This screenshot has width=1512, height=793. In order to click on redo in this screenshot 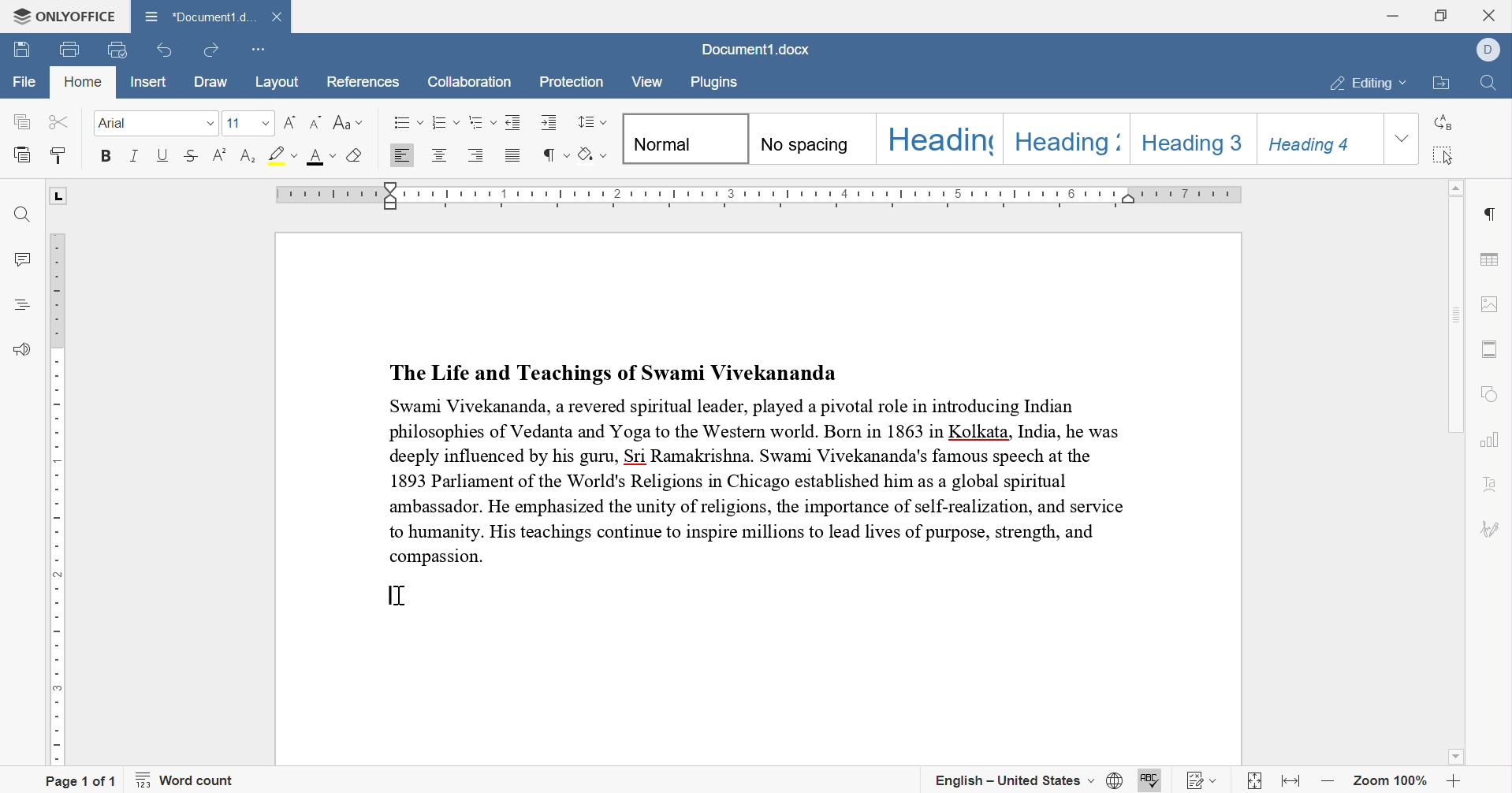, I will do `click(209, 50)`.